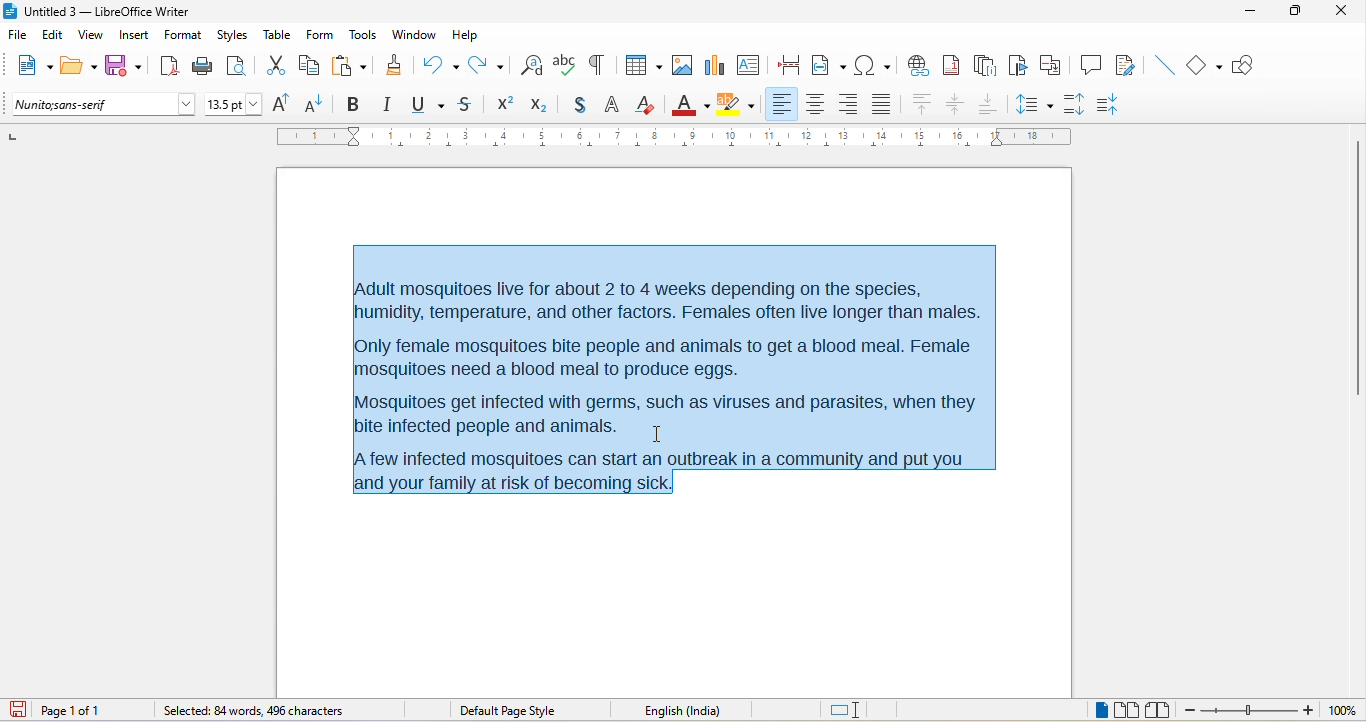 The width and height of the screenshot is (1366, 722). What do you see at coordinates (316, 103) in the screenshot?
I see `decrease size` at bounding box center [316, 103].